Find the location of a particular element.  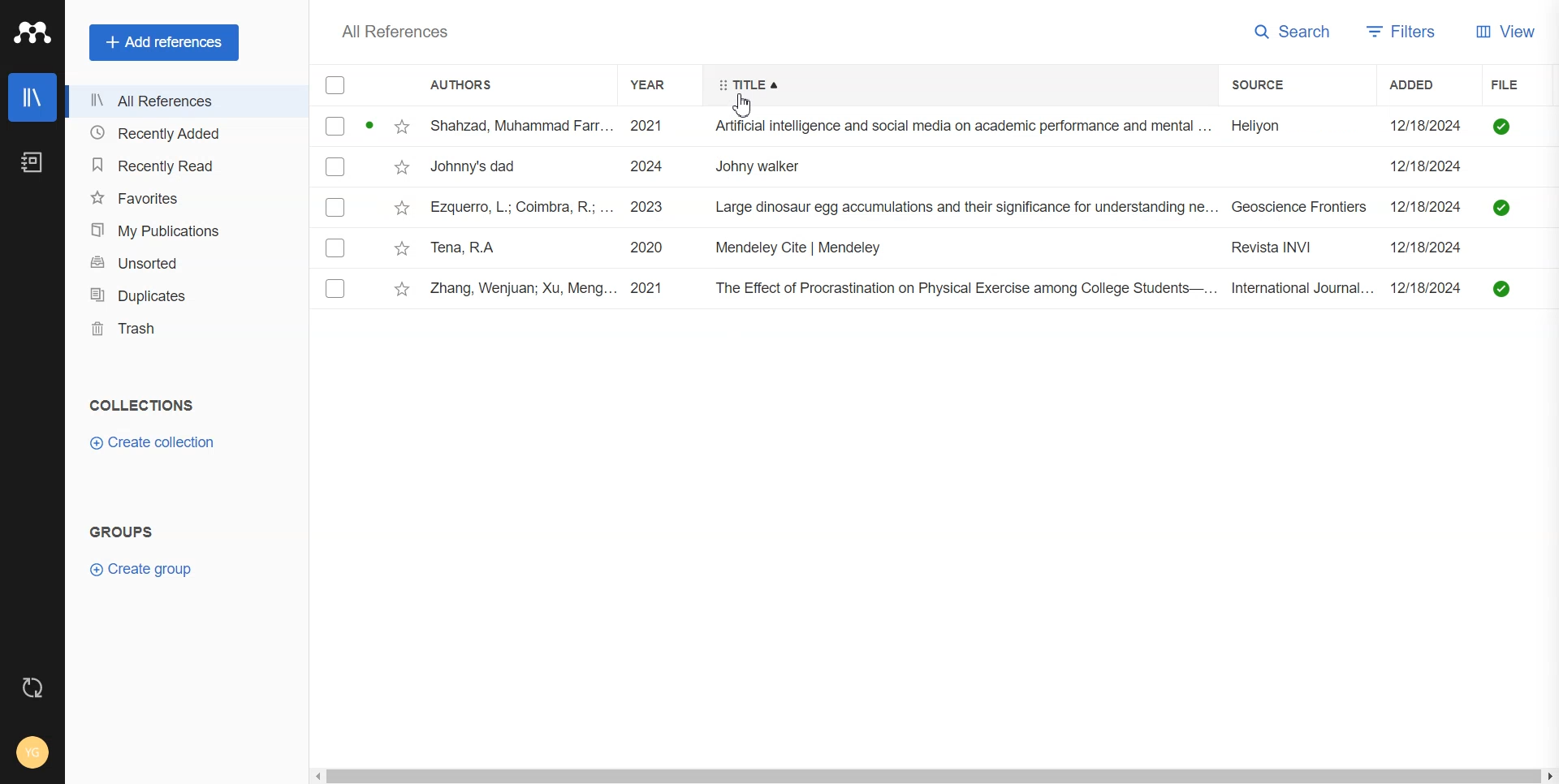

select entry is located at coordinates (335, 126).